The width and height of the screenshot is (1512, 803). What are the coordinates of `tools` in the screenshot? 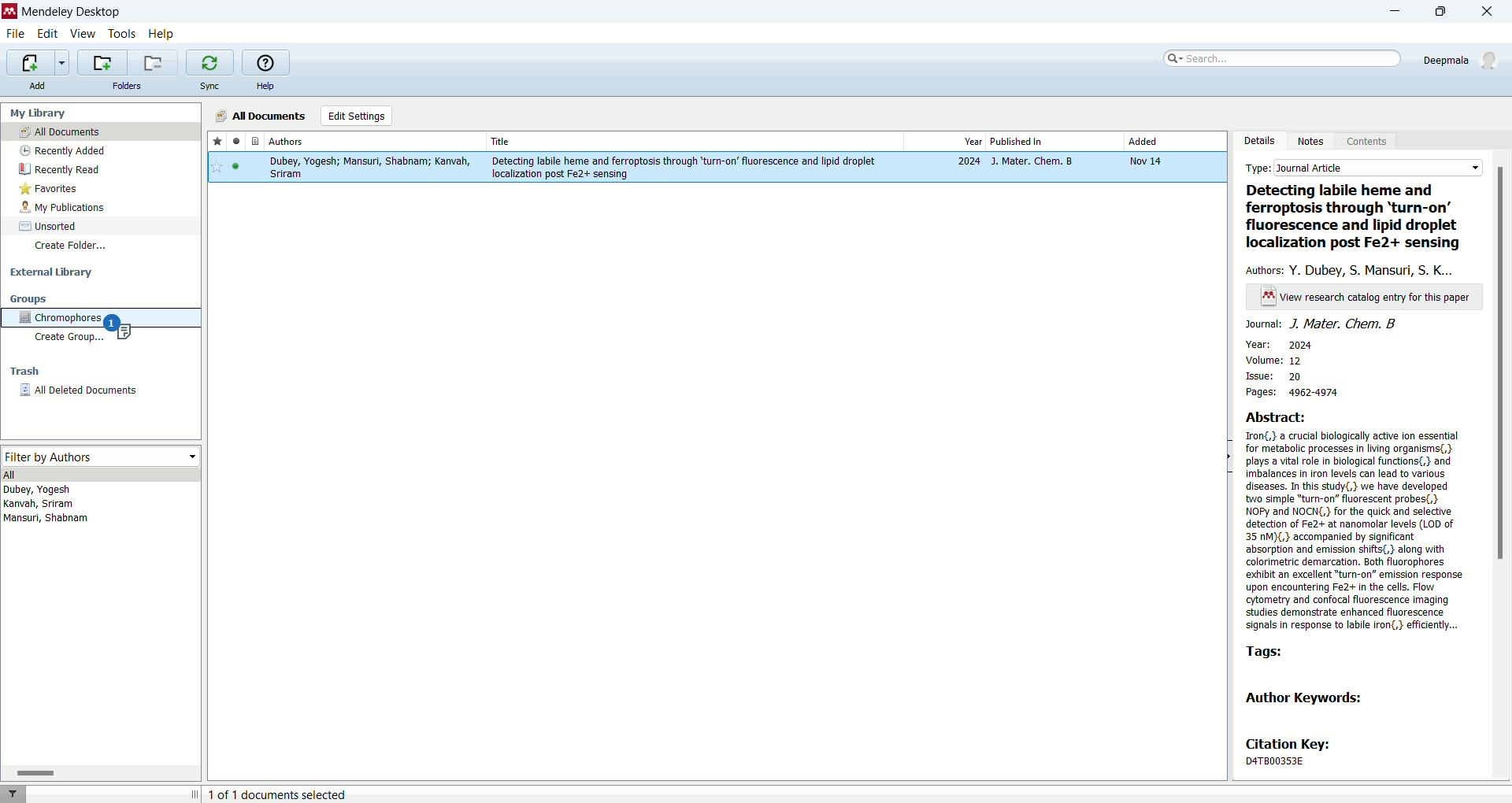 It's located at (122, 33).